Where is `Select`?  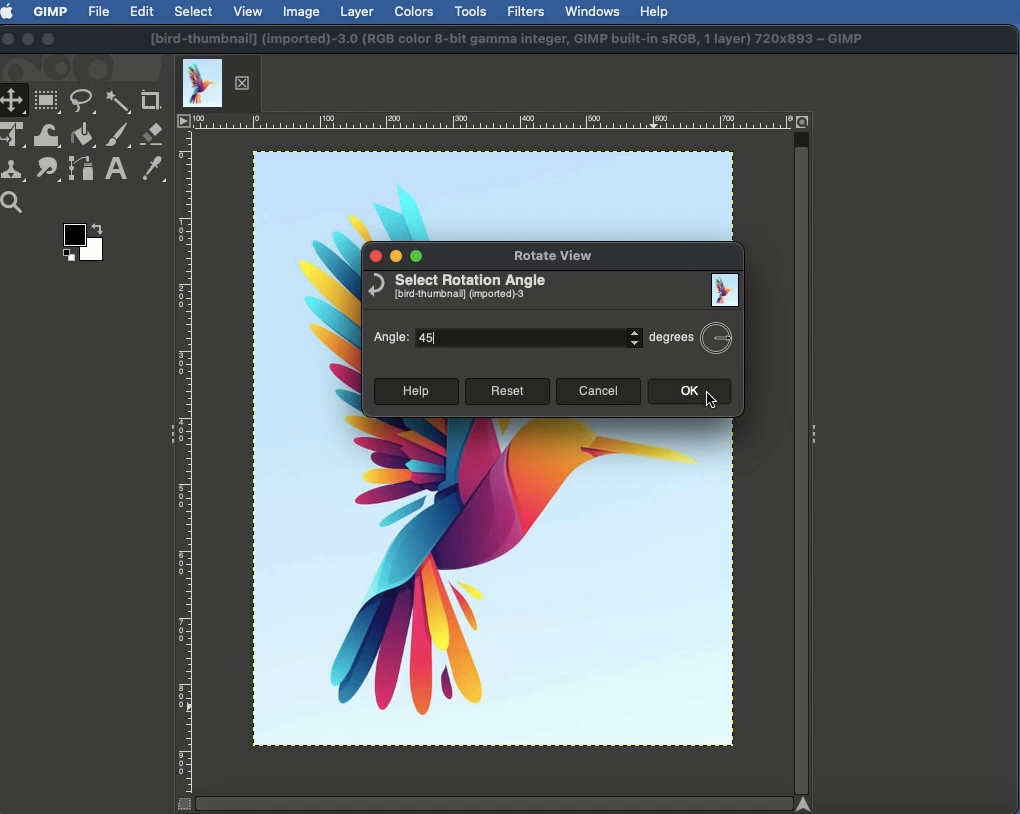
Select is located at coordinates (194, 11).